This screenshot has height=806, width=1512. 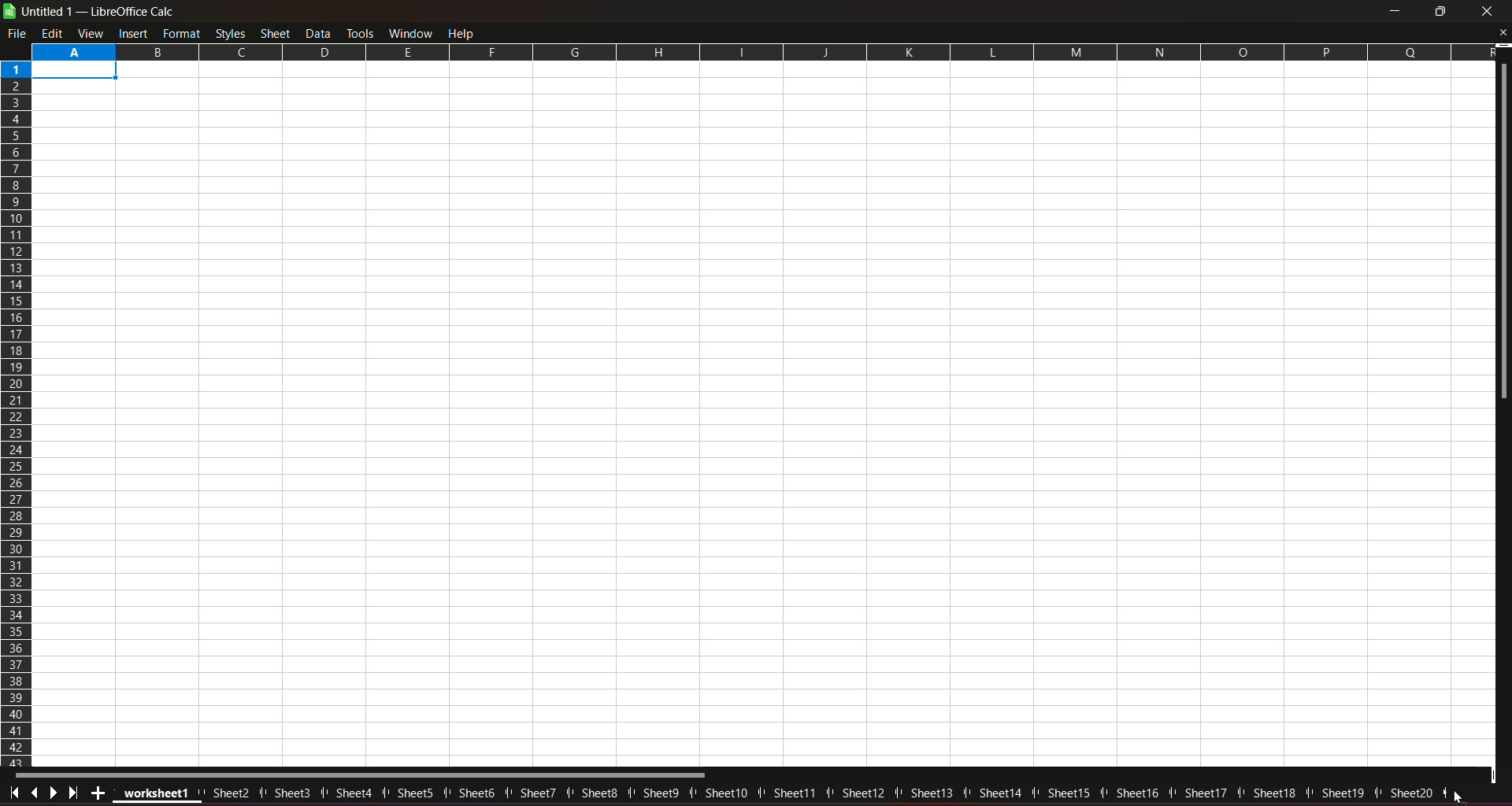 I want to click on view, so click(x=91, y=33).